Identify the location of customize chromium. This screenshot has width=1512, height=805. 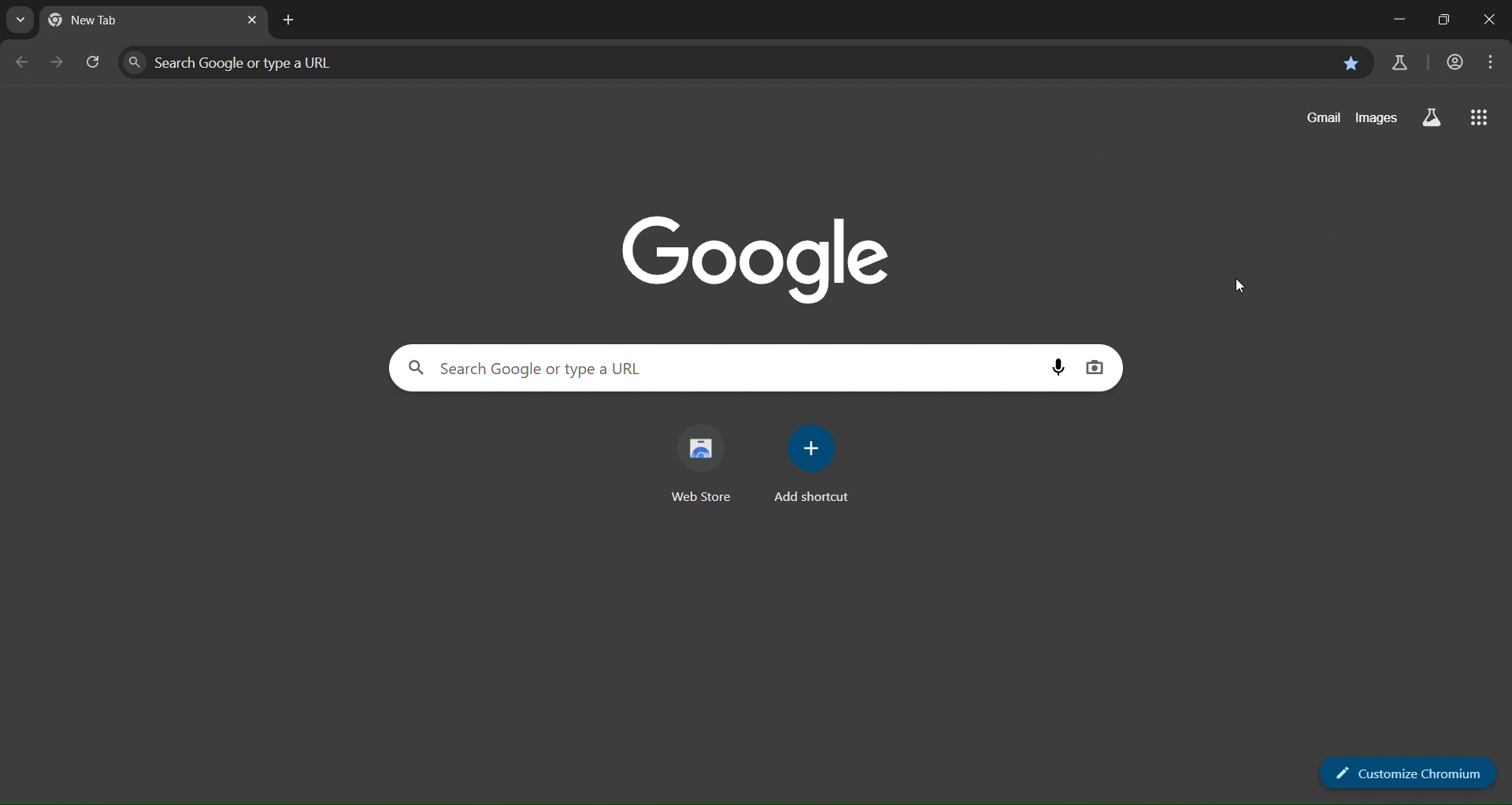
(1402, 773).